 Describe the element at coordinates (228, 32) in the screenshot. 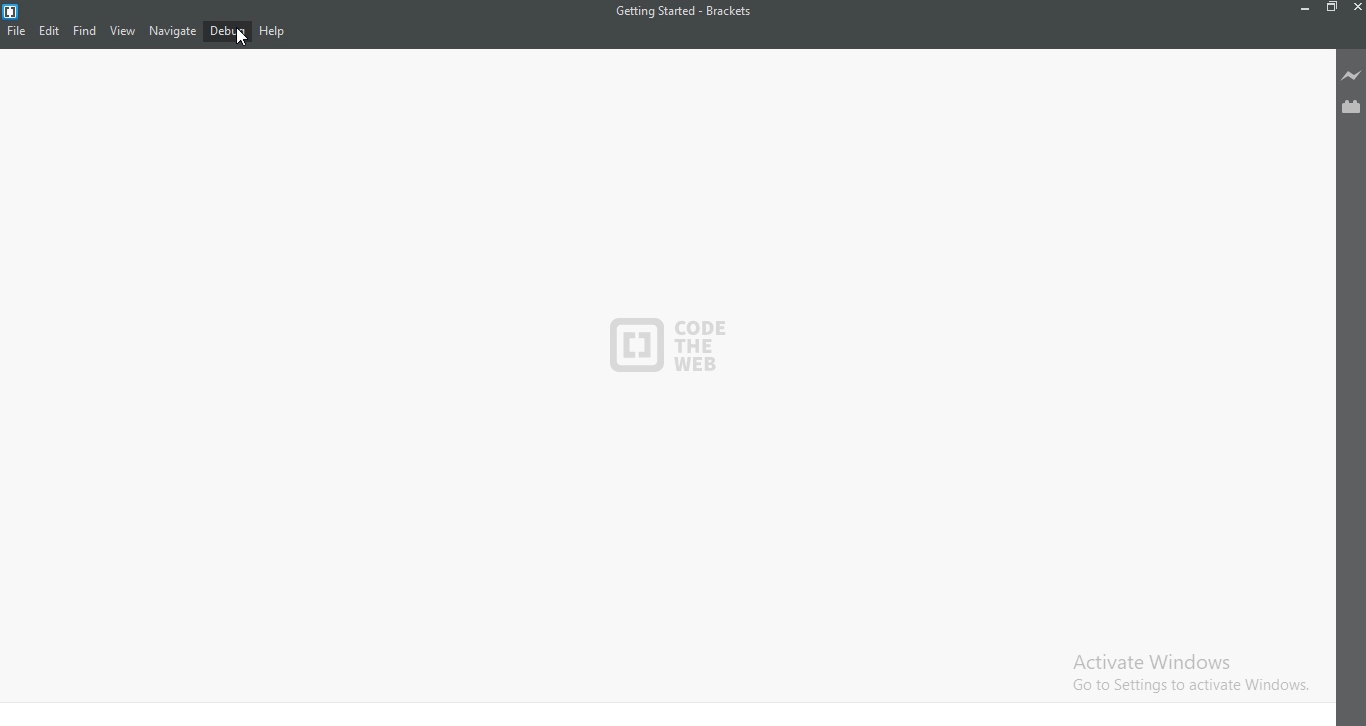

I see `Debug` at that location.